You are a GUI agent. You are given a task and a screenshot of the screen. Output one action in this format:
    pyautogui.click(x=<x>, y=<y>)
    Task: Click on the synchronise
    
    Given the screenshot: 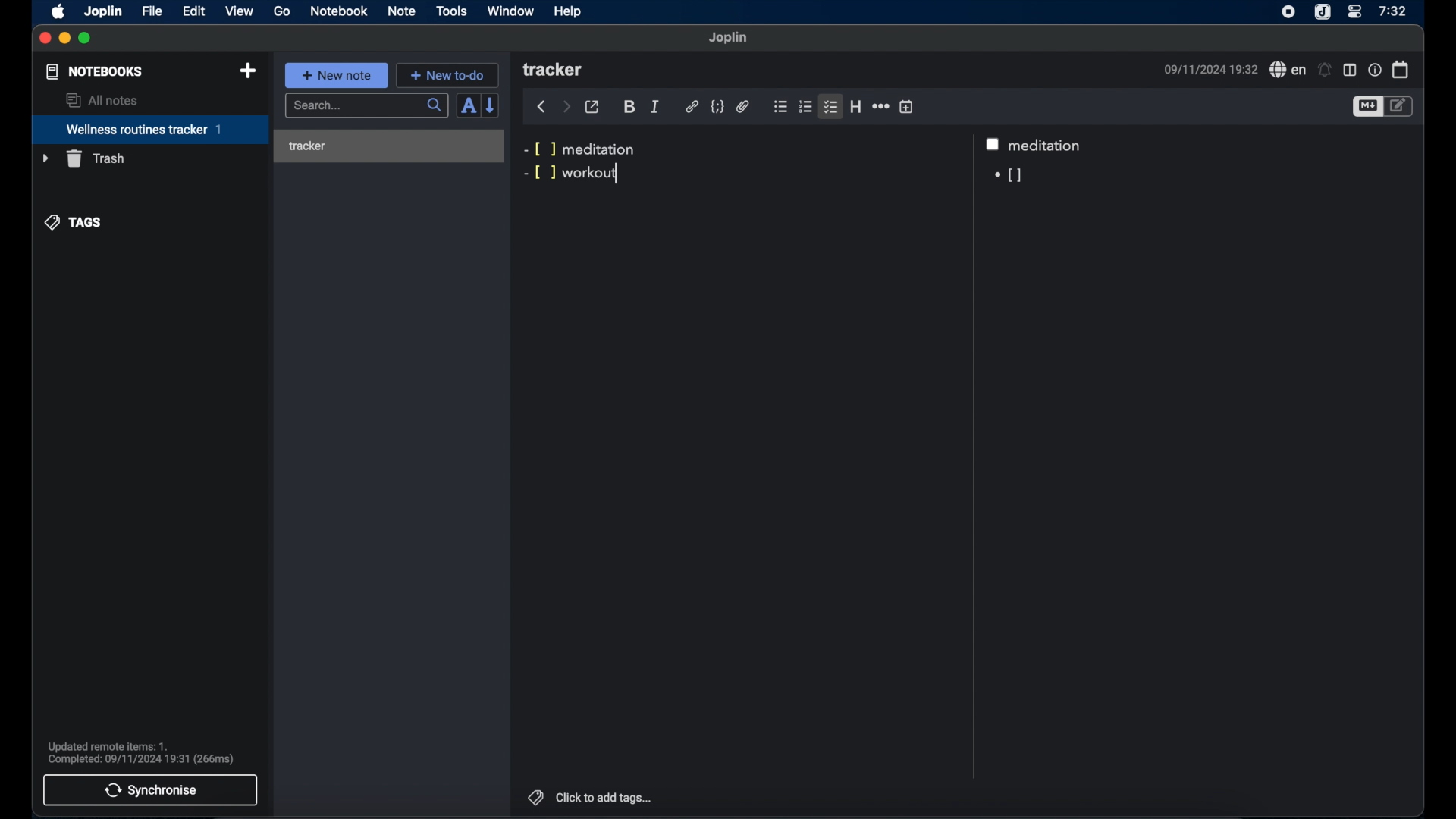 What is the action you would take?
    pyautogui.click(x=151, y=790)
    